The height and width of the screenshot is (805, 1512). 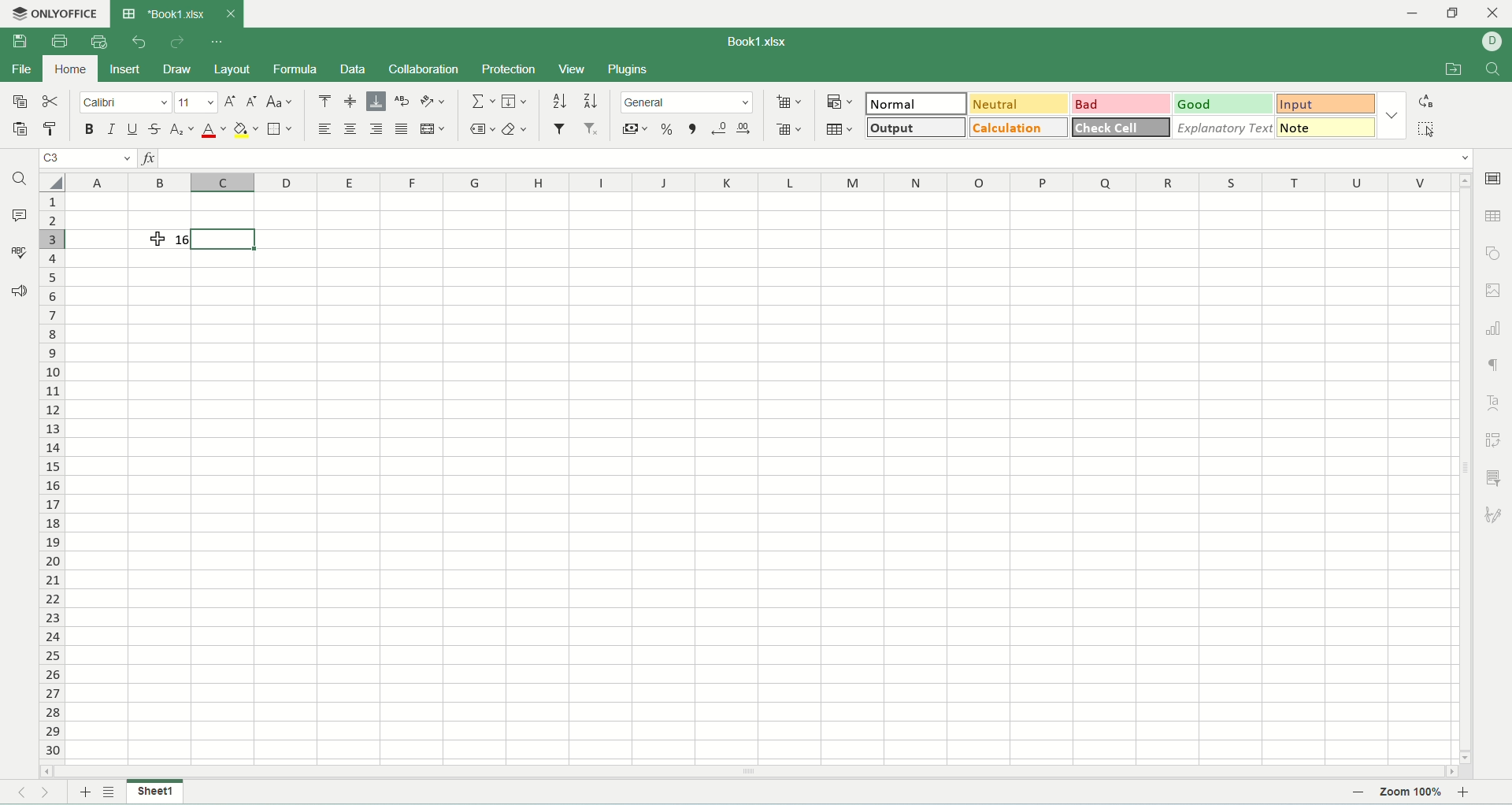 I want to click on fill, so click(x=515, y=101).